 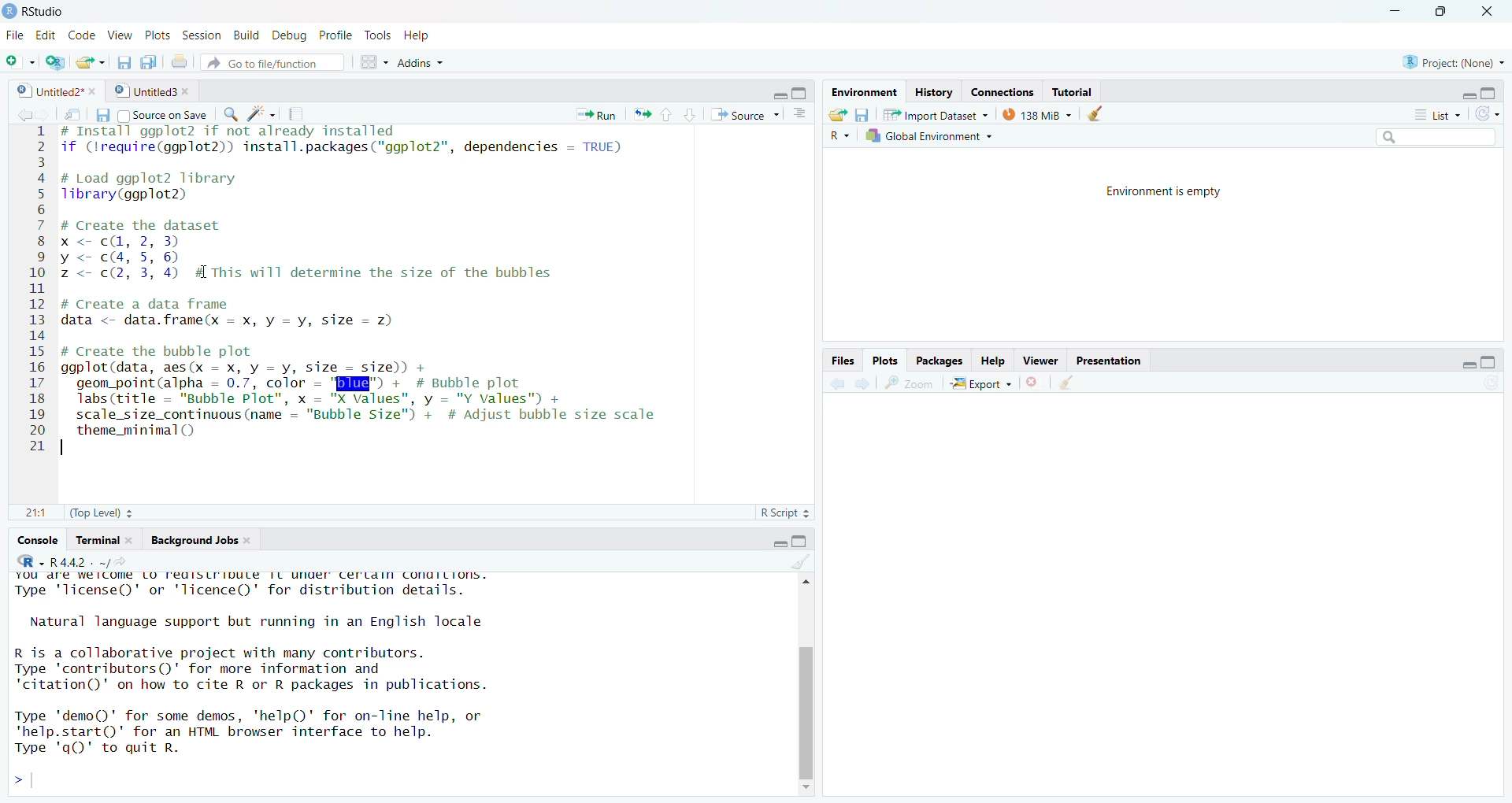 I want to click on Presentation, so click(x=1110, y=361).